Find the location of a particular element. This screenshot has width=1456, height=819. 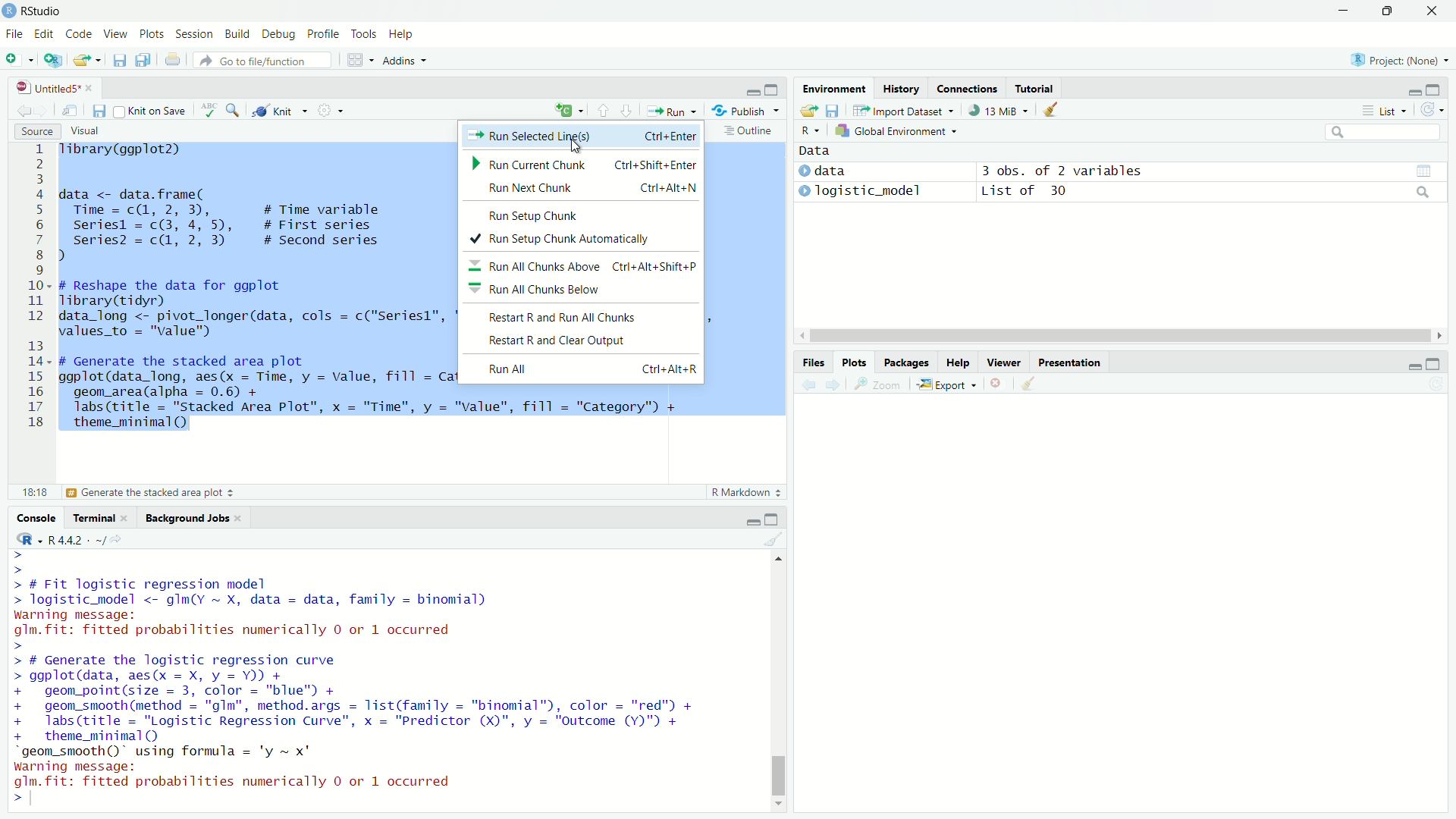

>

>

> # Fit logistic regression model

> logistic_model <- gIm(Y ~ X, data = data, family = binomial)

warning message:

glm. fit: fitted probabilities numerically 0 or 1 occurred

>

> # Generate the logistic regression curve

> ggplot(data, aes(x = X, y = Y)) +

+ geom_point(size = 3, color = "blue") +

+ geom_smooth(method = "gIm", method.args = list(family = "binomial"), color = "red") +
+ labs(title = "Logistic Regression Curve", x = "Predictor (X)", y = "Outcome (Y)") +
+ theme_minimal()

“geom_smooth()" using formula = 'y ~ x'

warning message:

glm.fit: fitted probabilities numerically 0 or 1 occurred

< | is located at coordinates (372, 679).